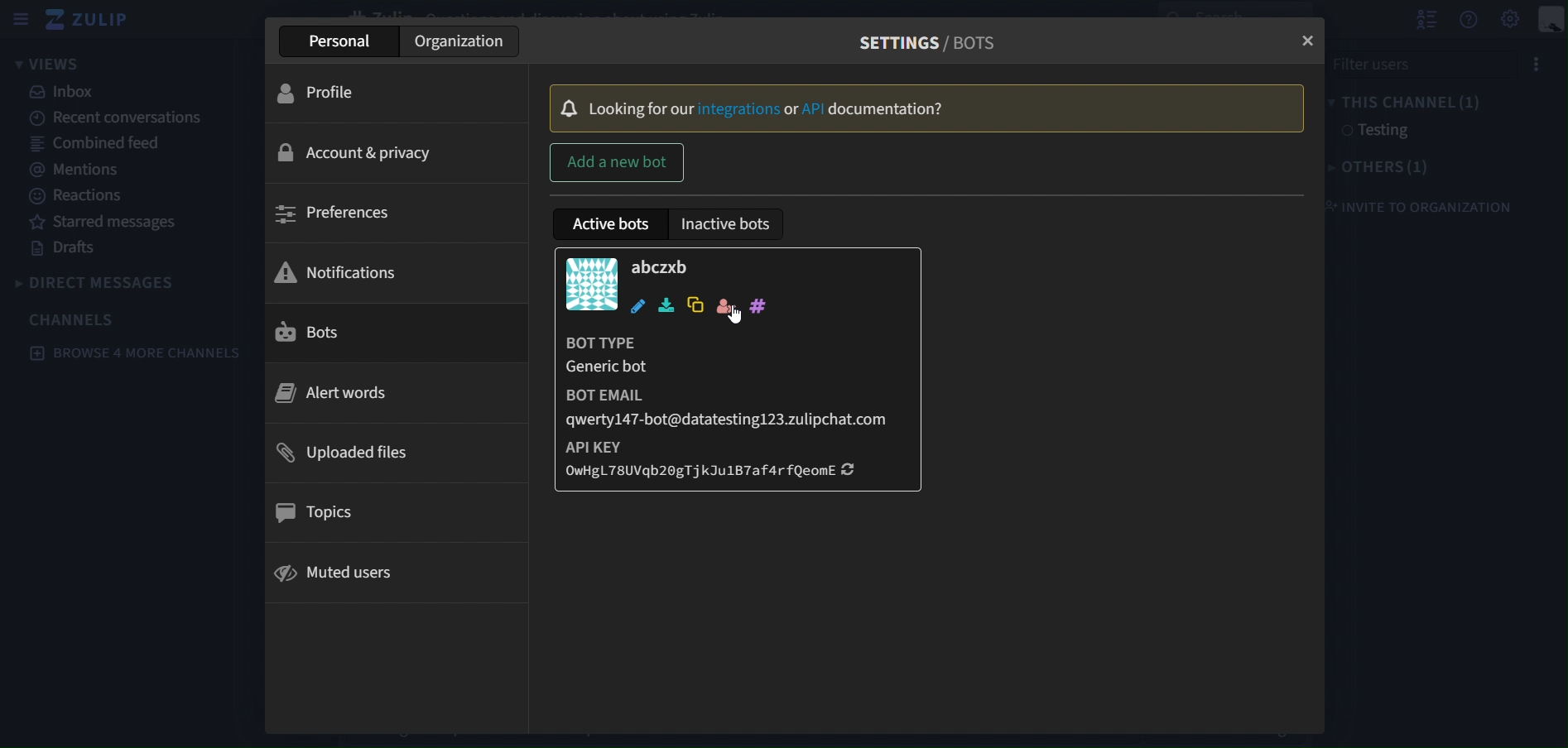 The image size is (1568, 748). I want to click on starred messages, so click(106, 223).